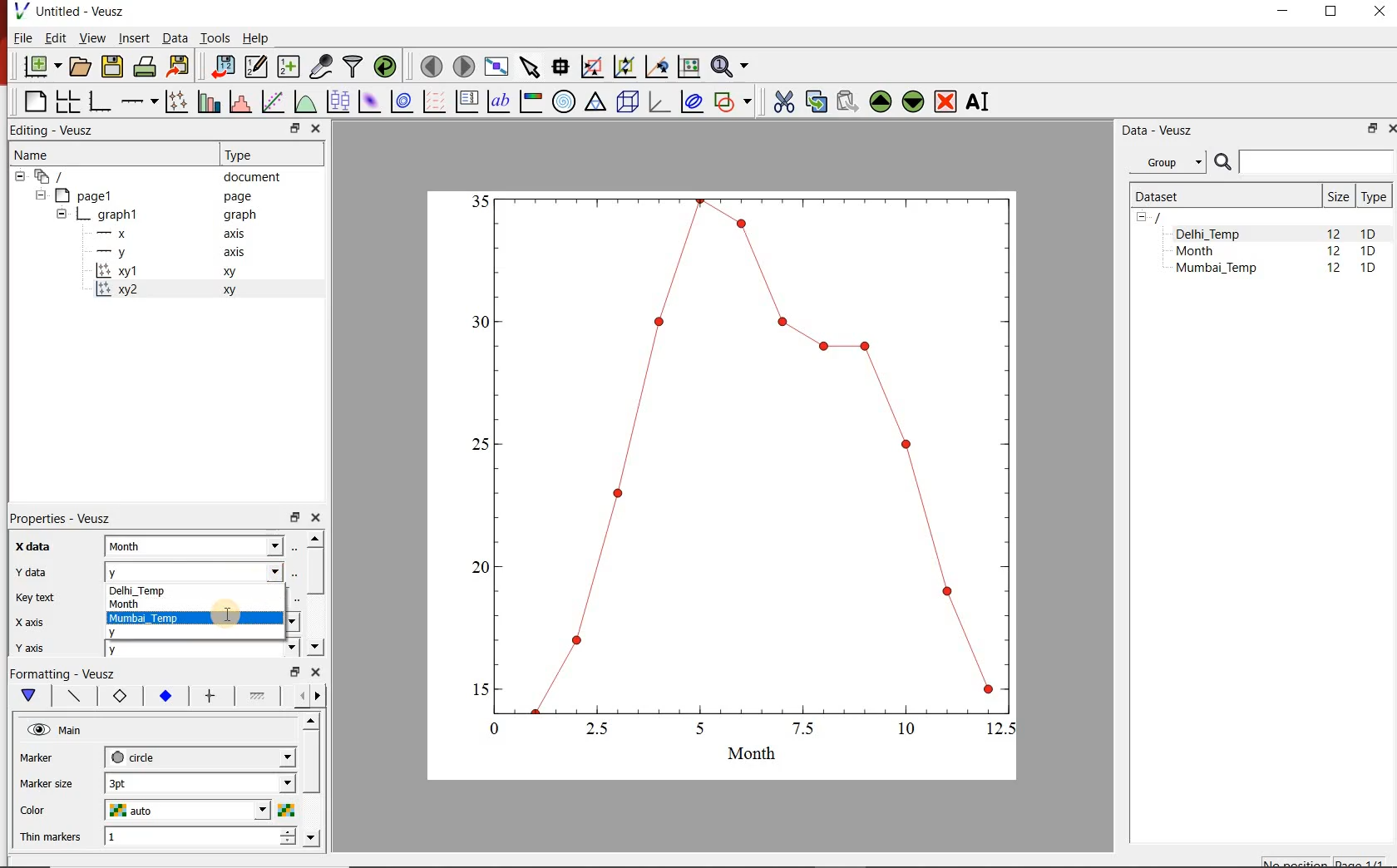  I want to click on Page1, so click(145, 195).